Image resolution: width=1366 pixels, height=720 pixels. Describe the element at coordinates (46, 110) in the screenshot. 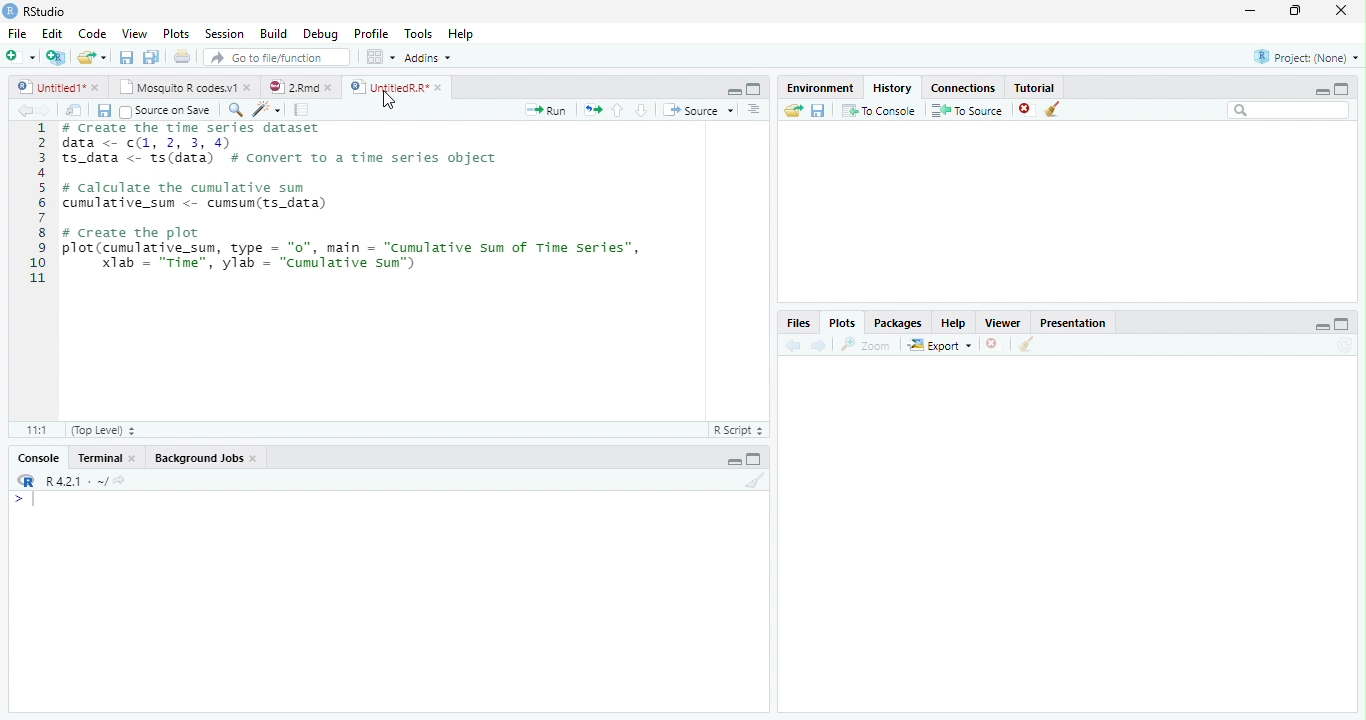

I see `Next` at that location.